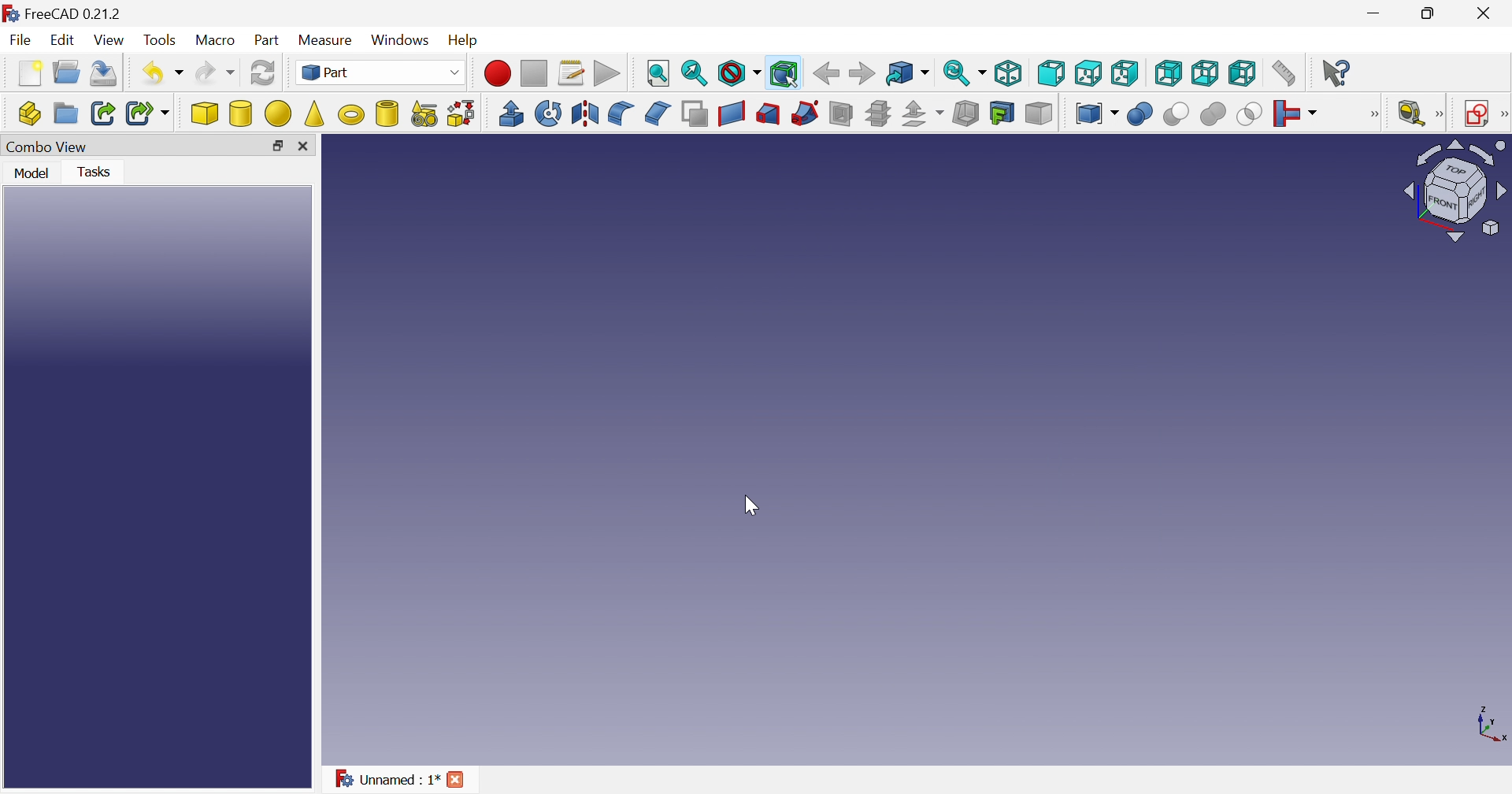 This screenshot has height=794, width=1512. I want to click on Tasks, so click(99, 171).